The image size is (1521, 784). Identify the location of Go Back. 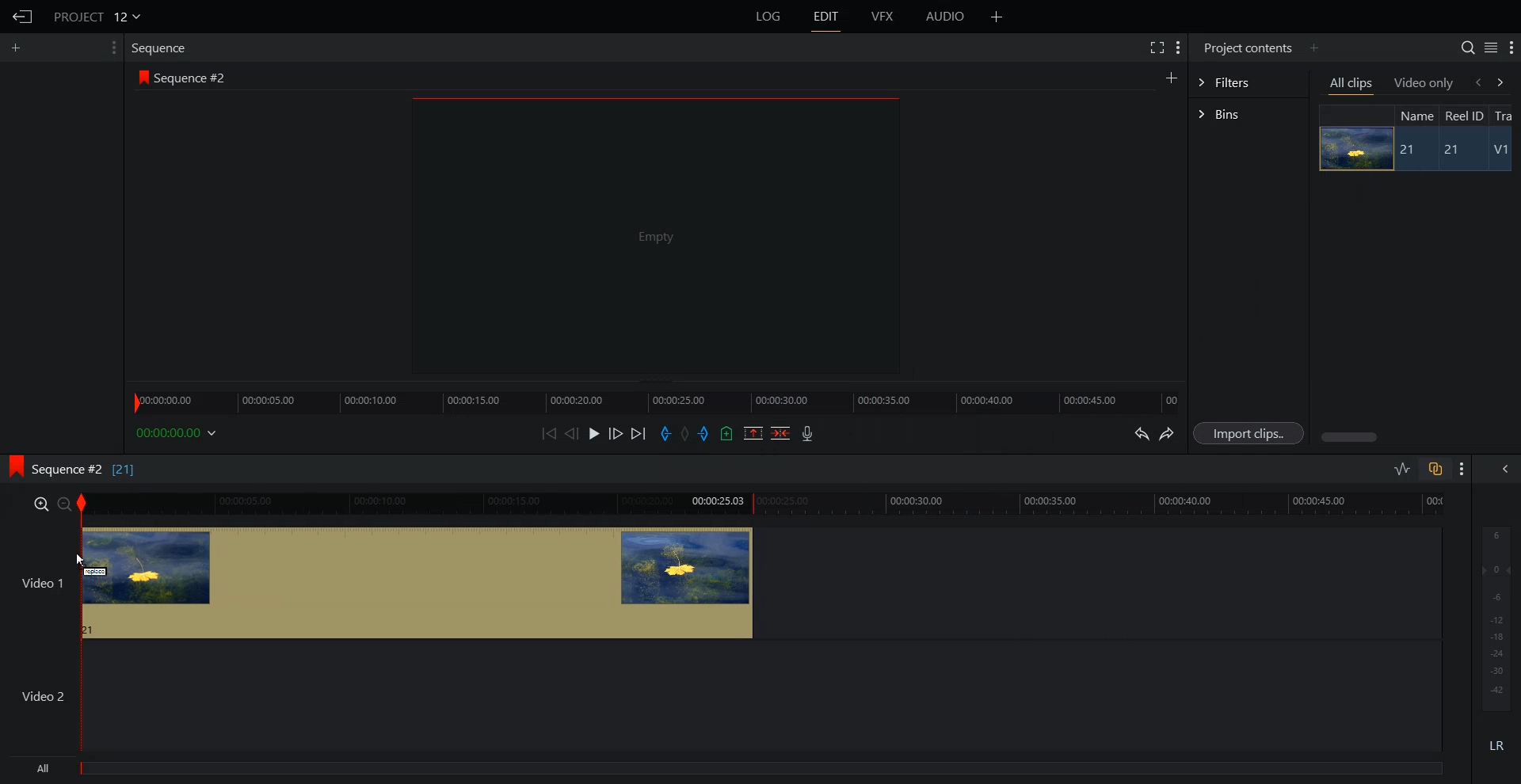
(23, 17).